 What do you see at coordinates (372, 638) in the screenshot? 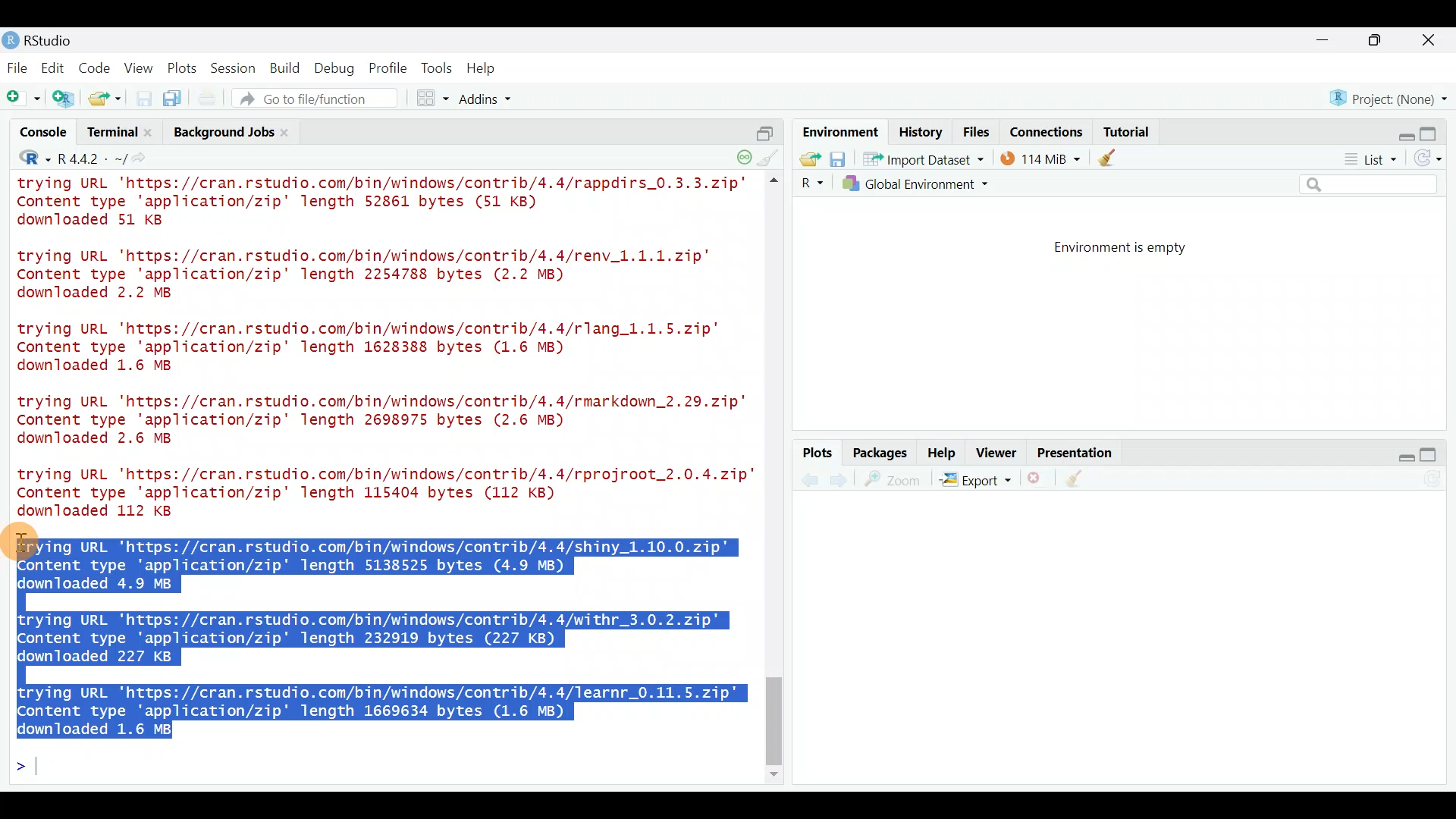
I see `trying URL 'https://cran.rstudio.com/bin/windows/contrib/4.4/withr_3.0.2.zip"
Content type 'application/zip' length 232919 bytes (227 KB)
downloaded 227 KB` at bounding box center [372, 638].